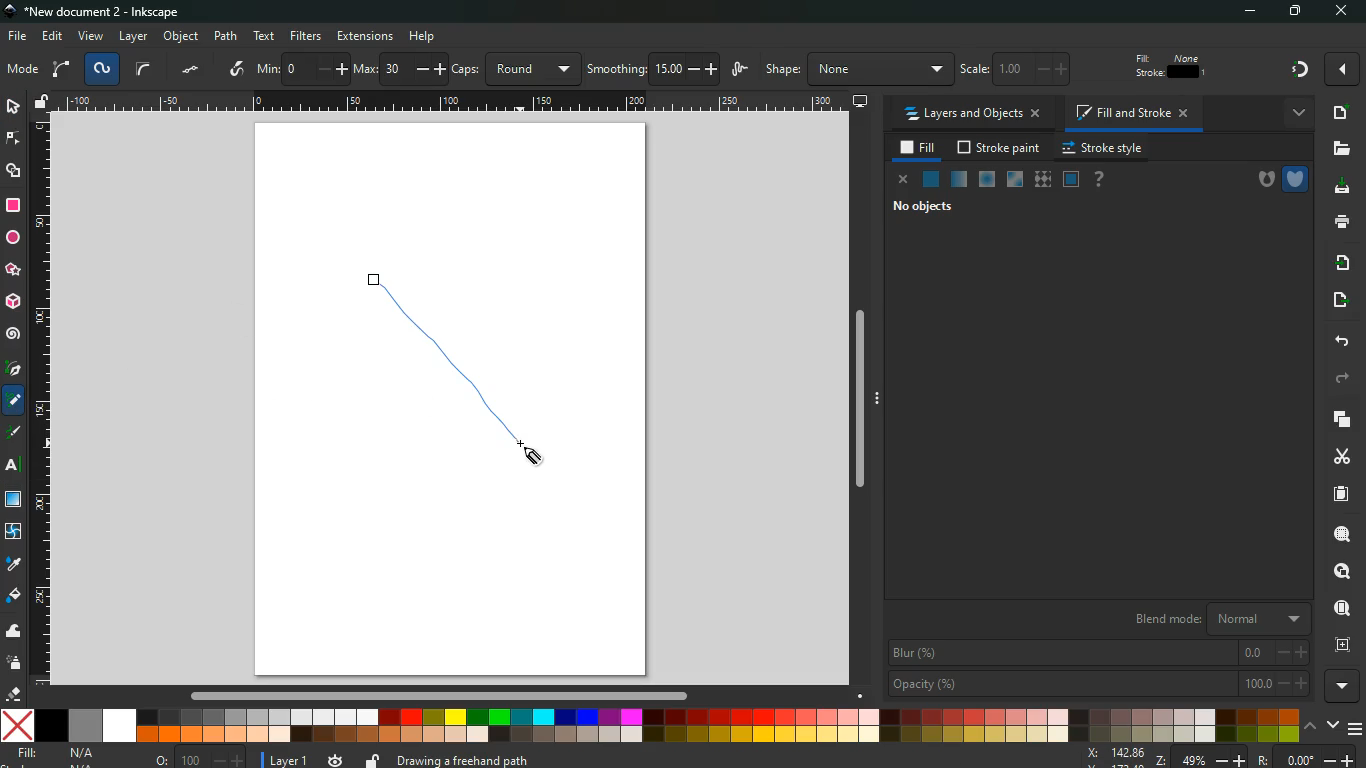  Describe the element at coordinates (905, 183) in the screenshot. I see `close` at that location.